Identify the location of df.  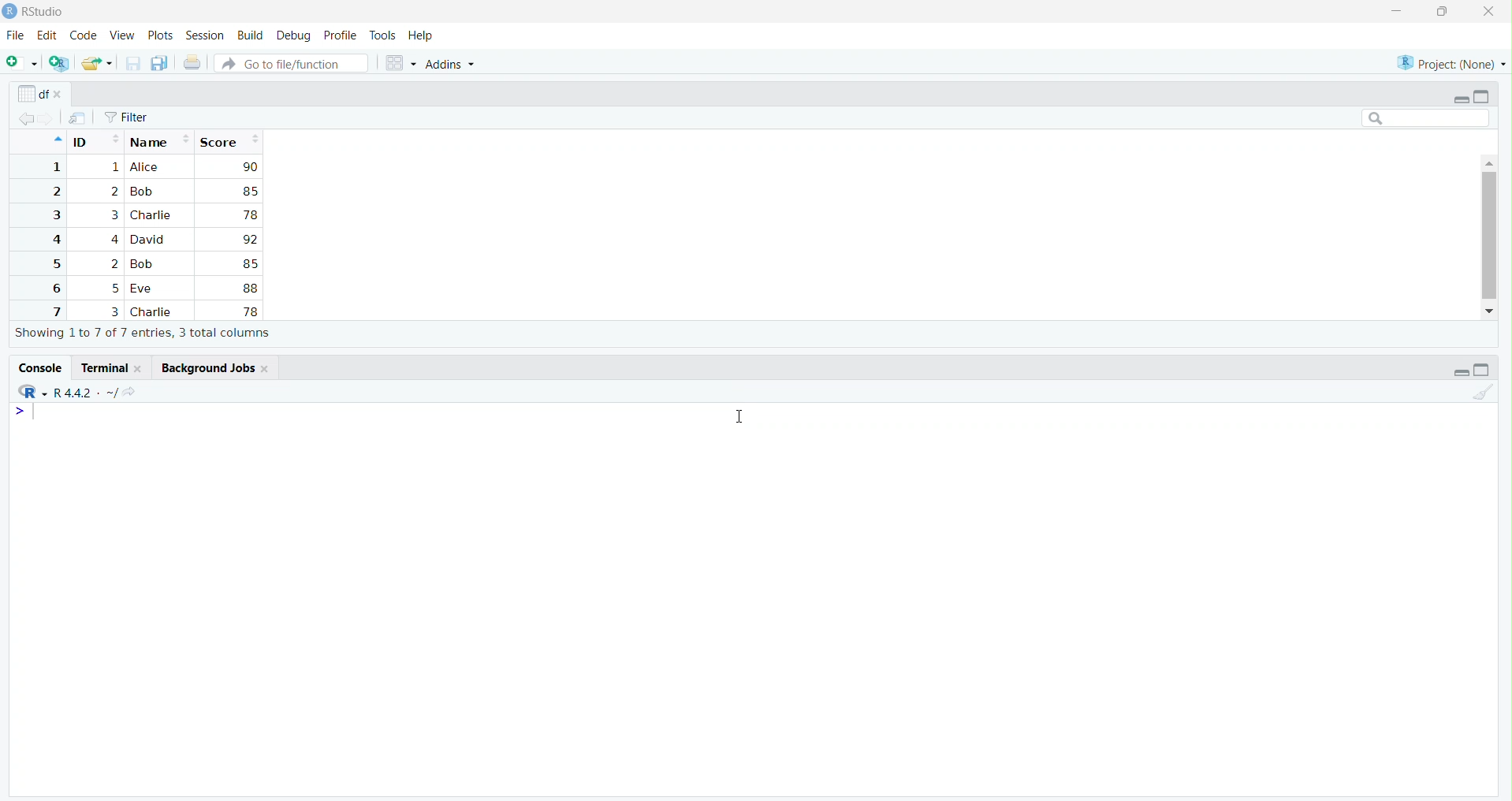
(32, 93).